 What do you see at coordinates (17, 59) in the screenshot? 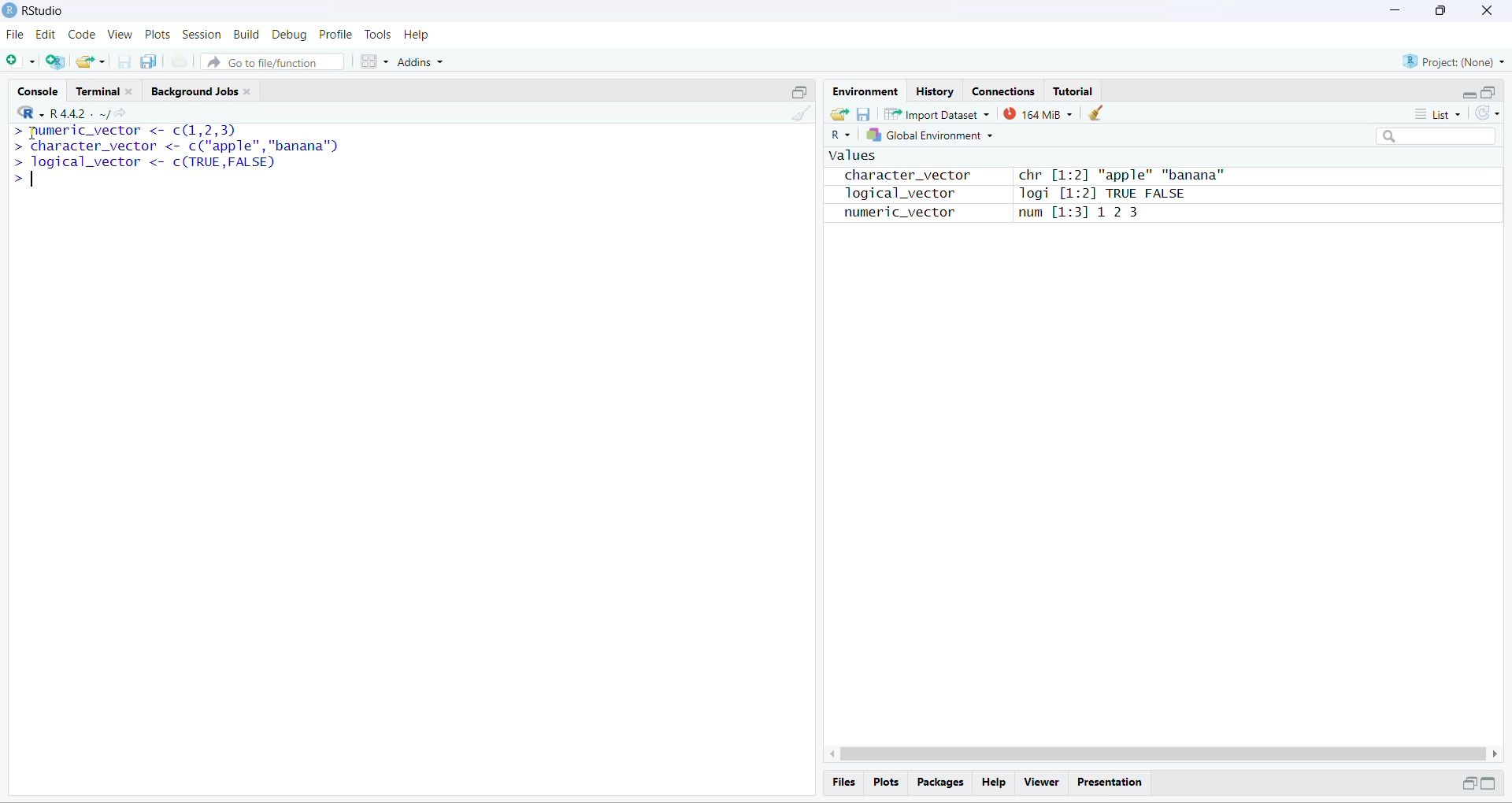
I see `new file` at bounding box center [17, 59].